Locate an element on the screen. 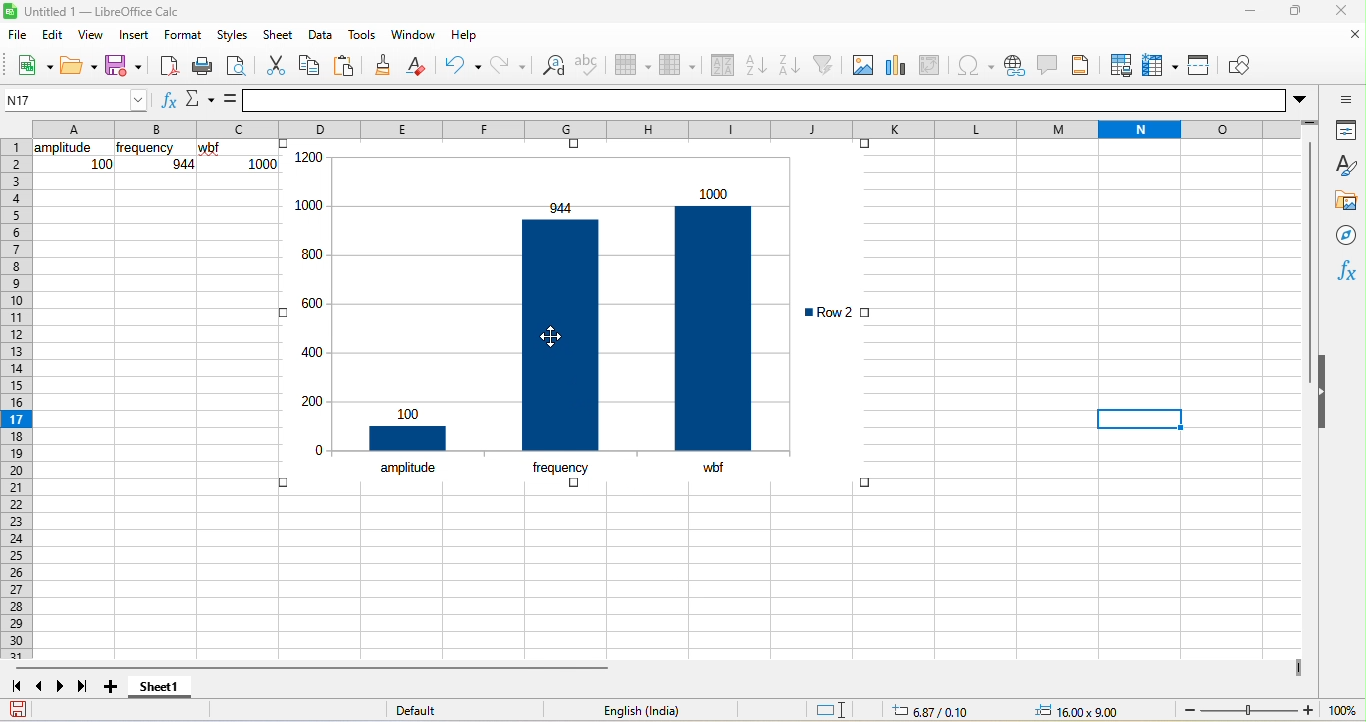 The height and width of the screenshot is (722, 1366). function wizard is located at coordinates (164, 99).